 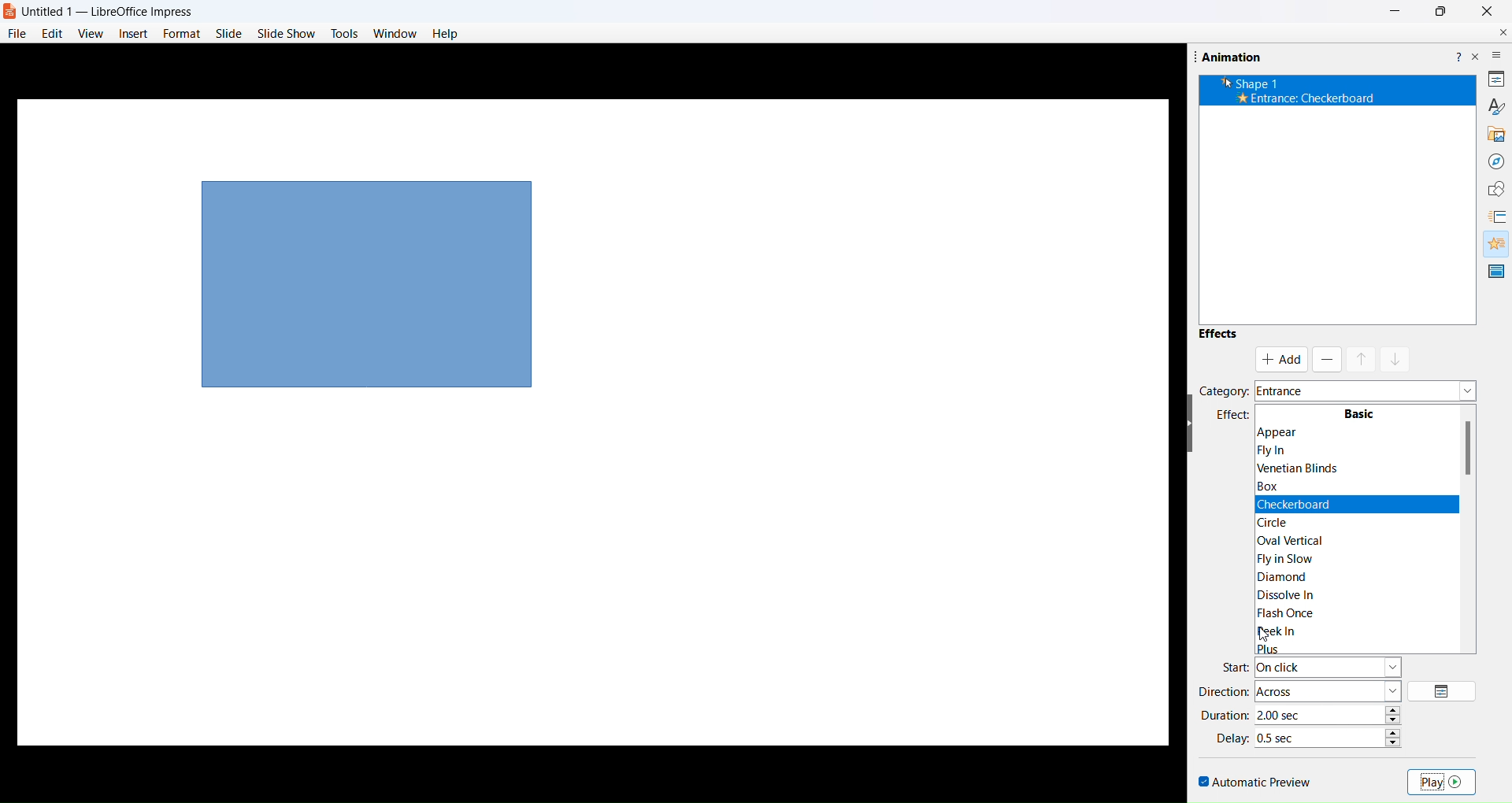 I want to click on slide, so click(x=228, y=34).